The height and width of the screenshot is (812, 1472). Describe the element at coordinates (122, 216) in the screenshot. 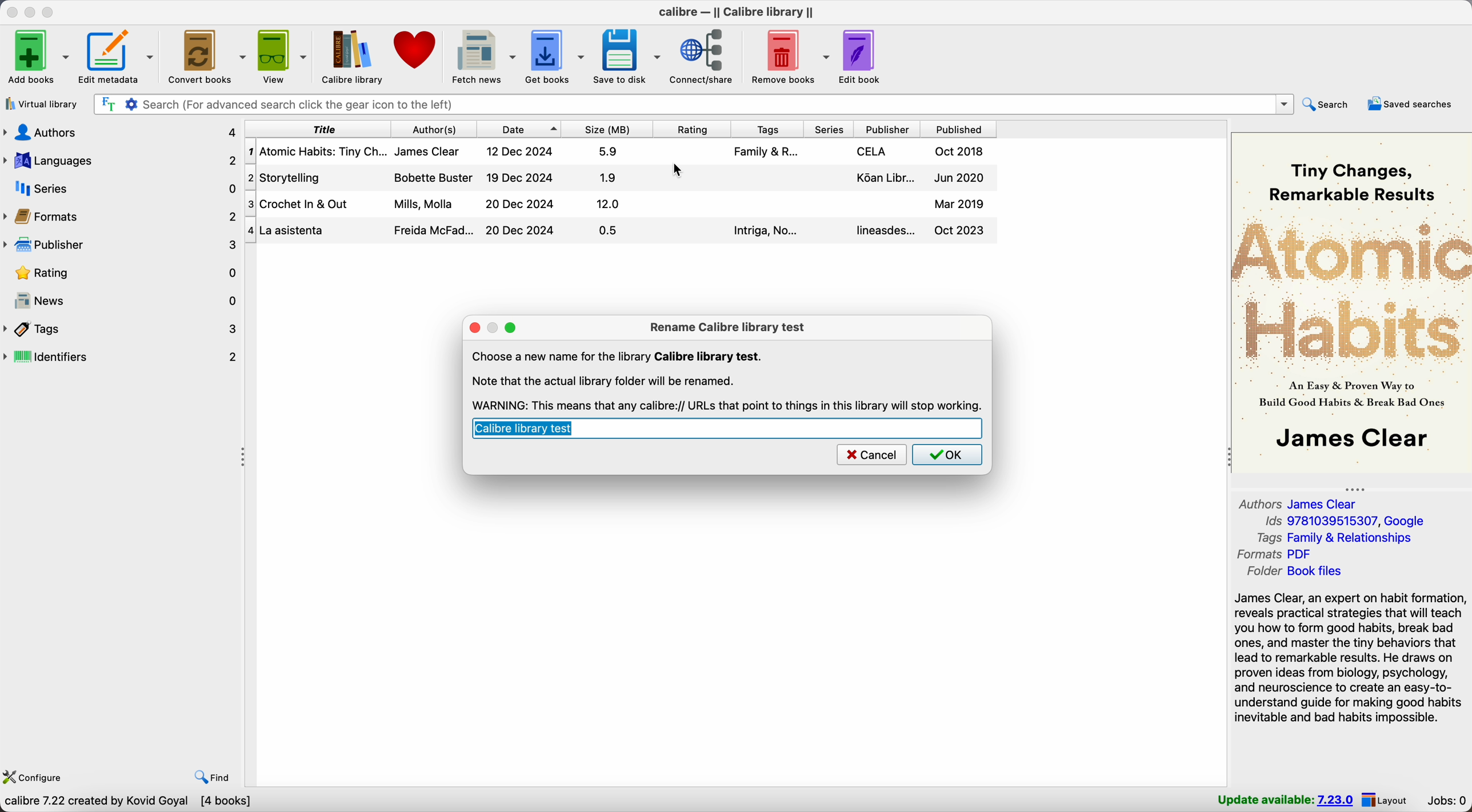

I see `formats` at that location.